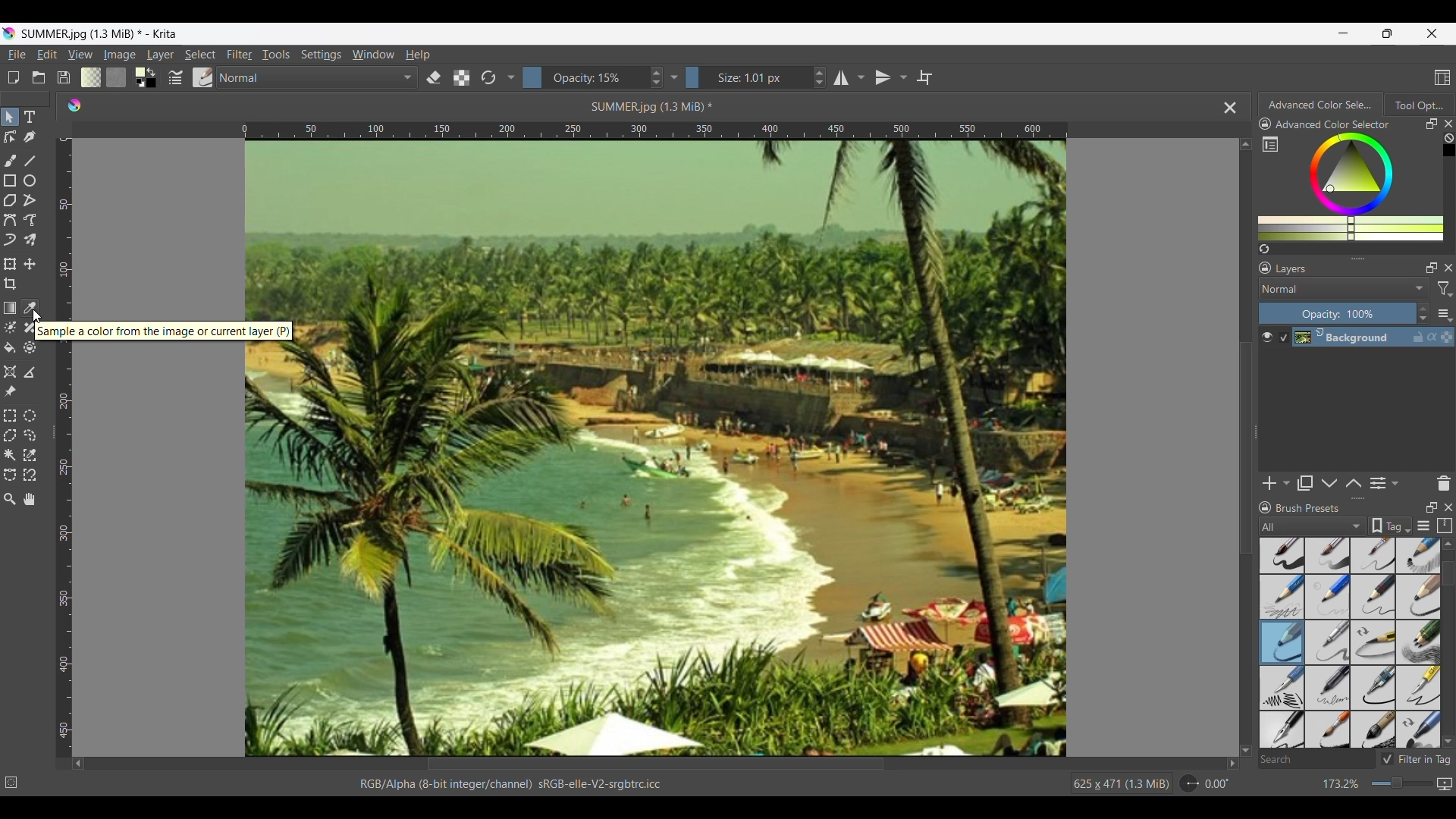  What do you see at coordinates (200, 55) in the screenshot?
I see `Select menu` at bounding box center [200, 55].